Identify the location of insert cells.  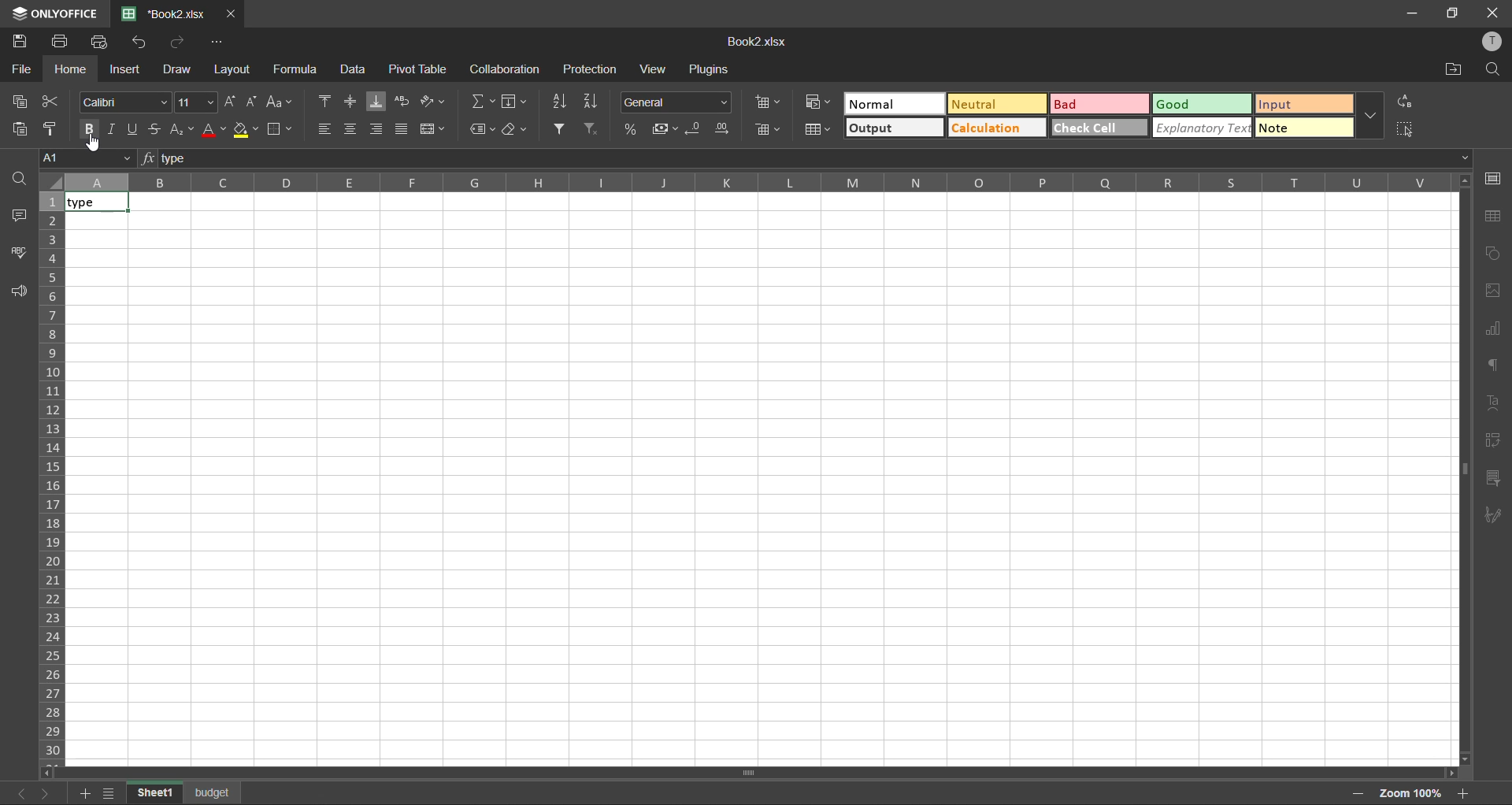
(766, 102).